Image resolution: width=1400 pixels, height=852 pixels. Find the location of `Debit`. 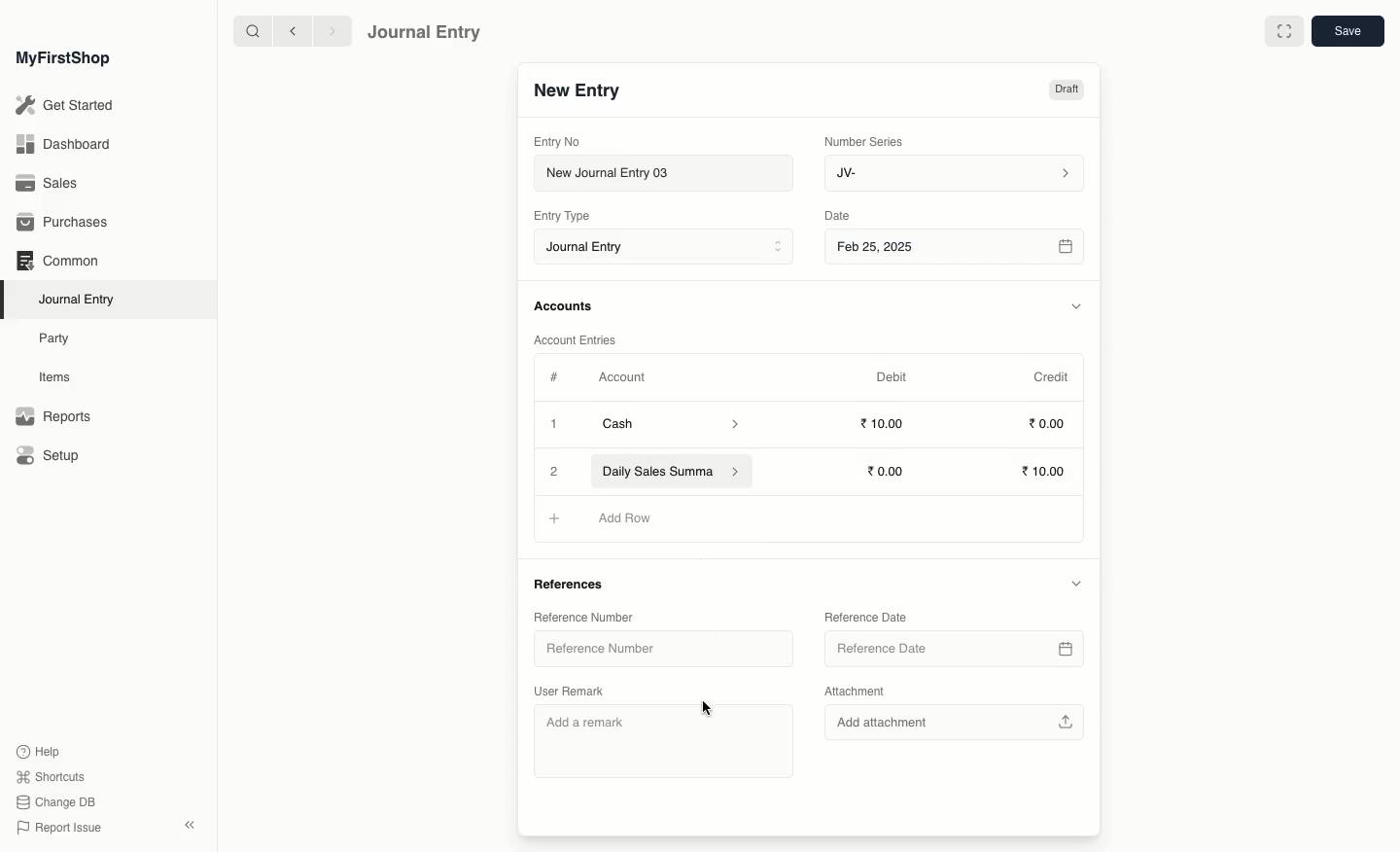

Debit is located at coordinates (892, 376).